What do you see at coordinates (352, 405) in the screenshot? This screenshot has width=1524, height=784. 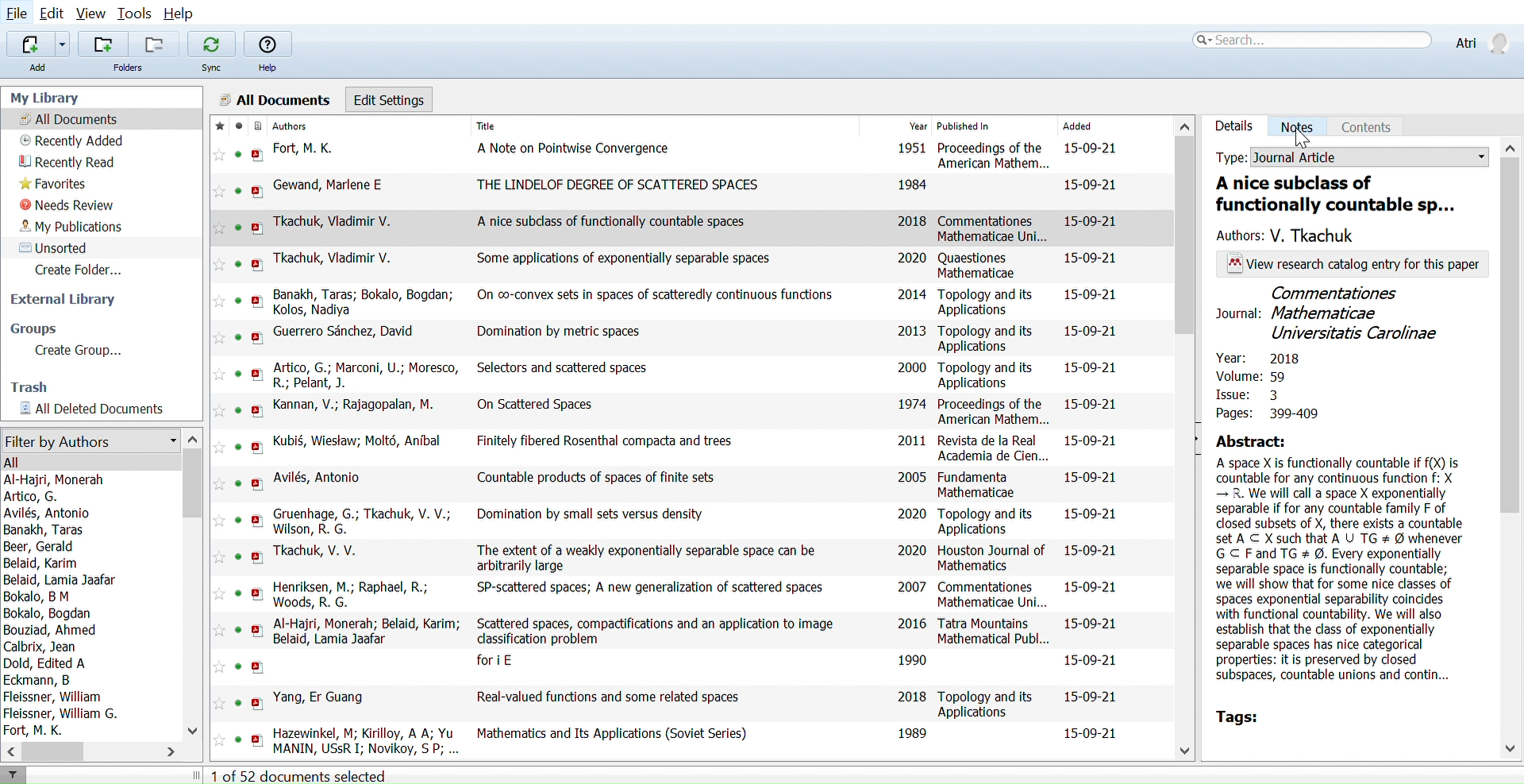 I see `Kannan, V.; Rajagopalan, M.` at bounding box center [352, 405].